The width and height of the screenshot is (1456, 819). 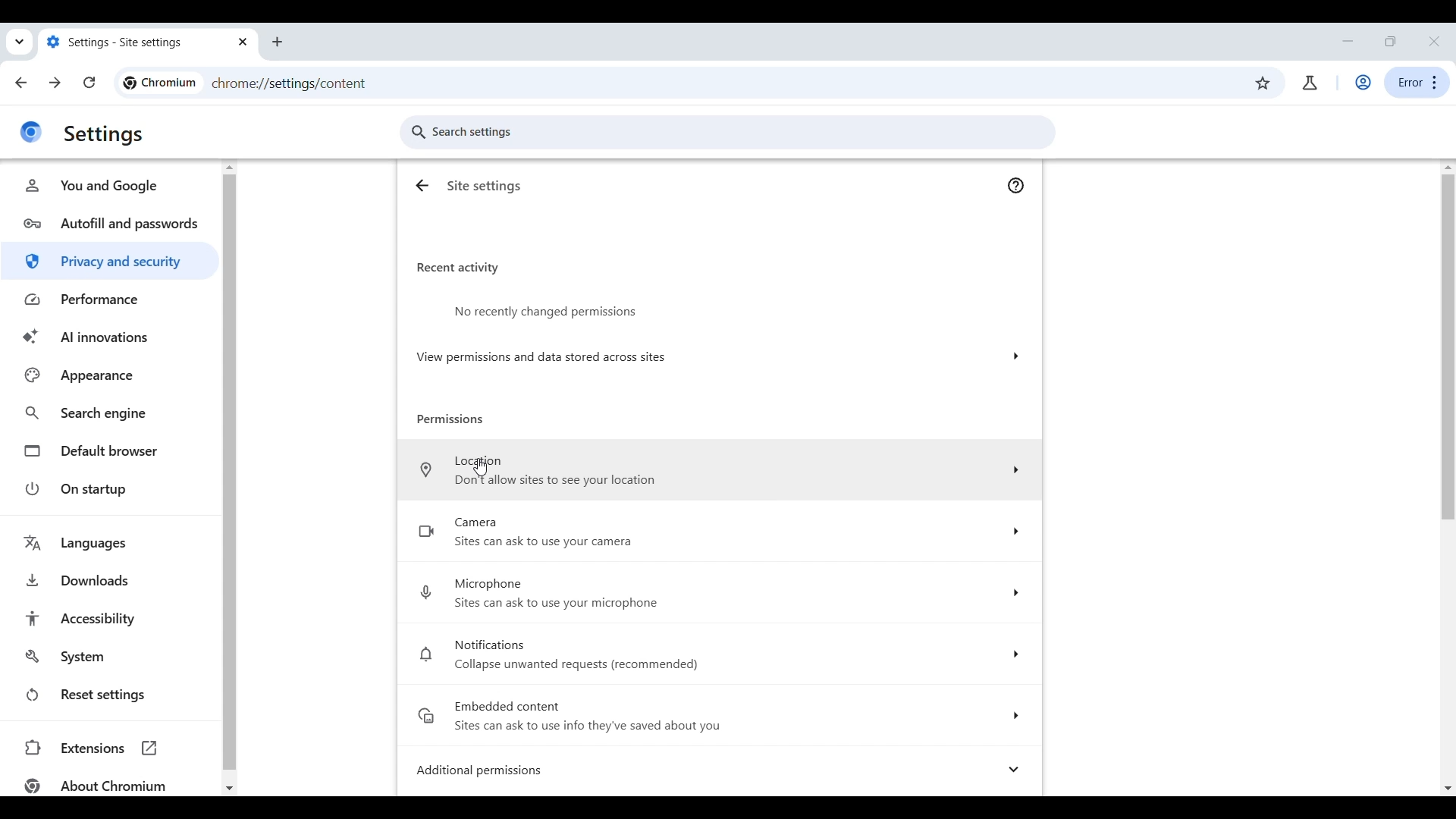 What do you see at coordinates (728, 132) in the screenshot?
I see `Search settings` at bounding box center [728, 132].